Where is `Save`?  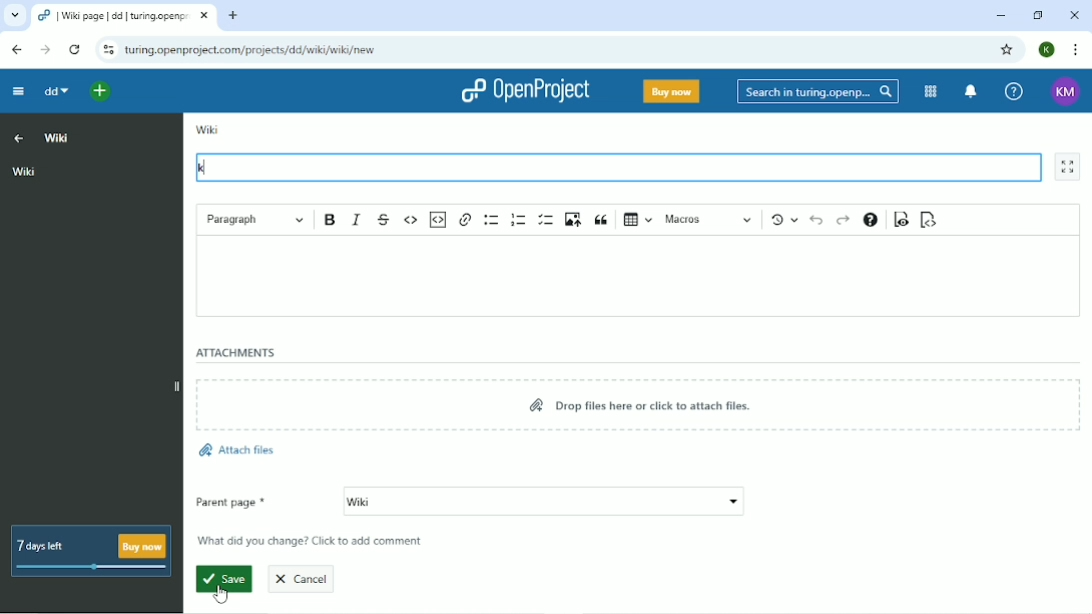 Save is located at coordinates (224, 576).